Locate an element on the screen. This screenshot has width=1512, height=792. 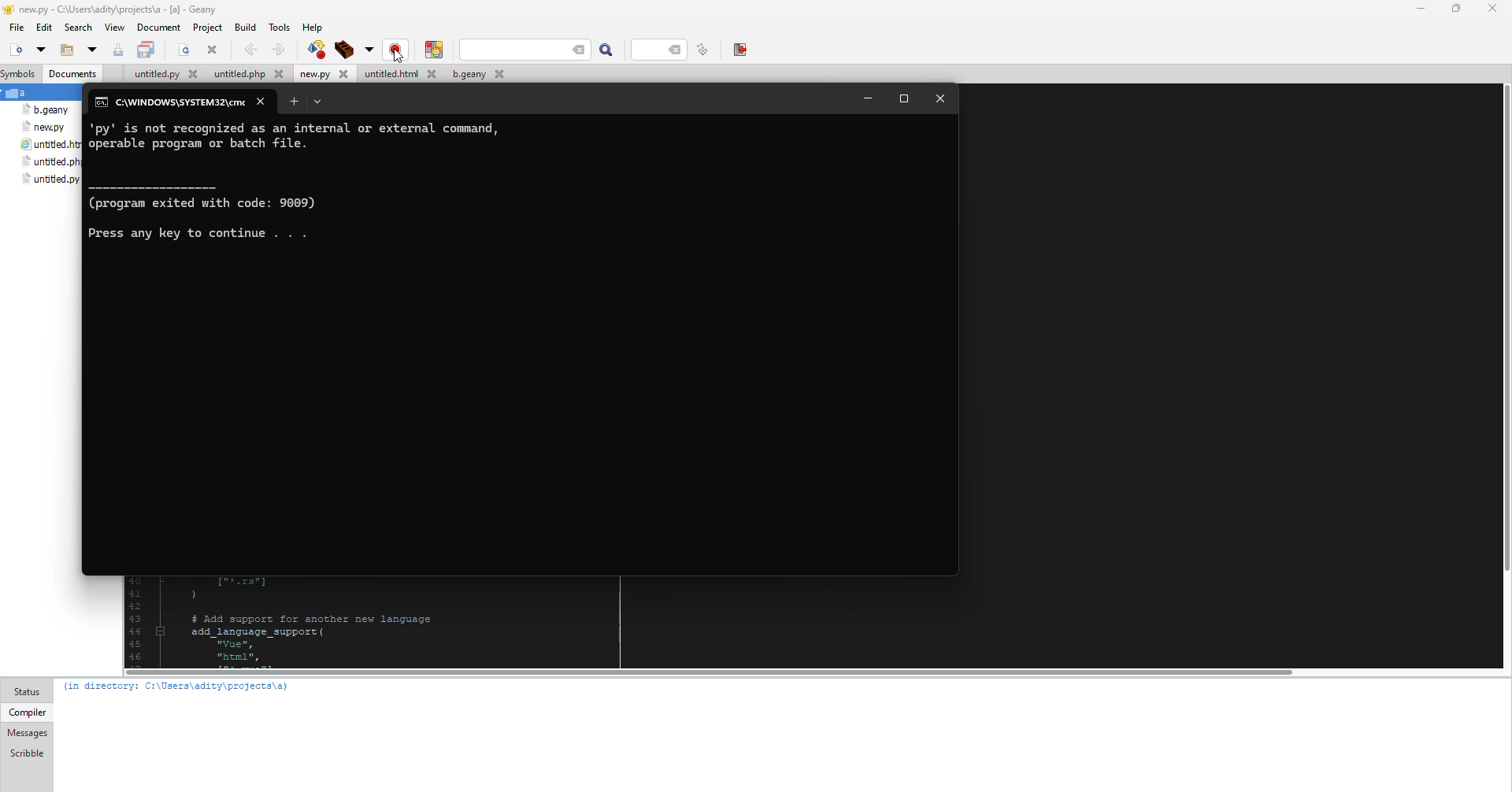
view is located at coordinates (115, 28).